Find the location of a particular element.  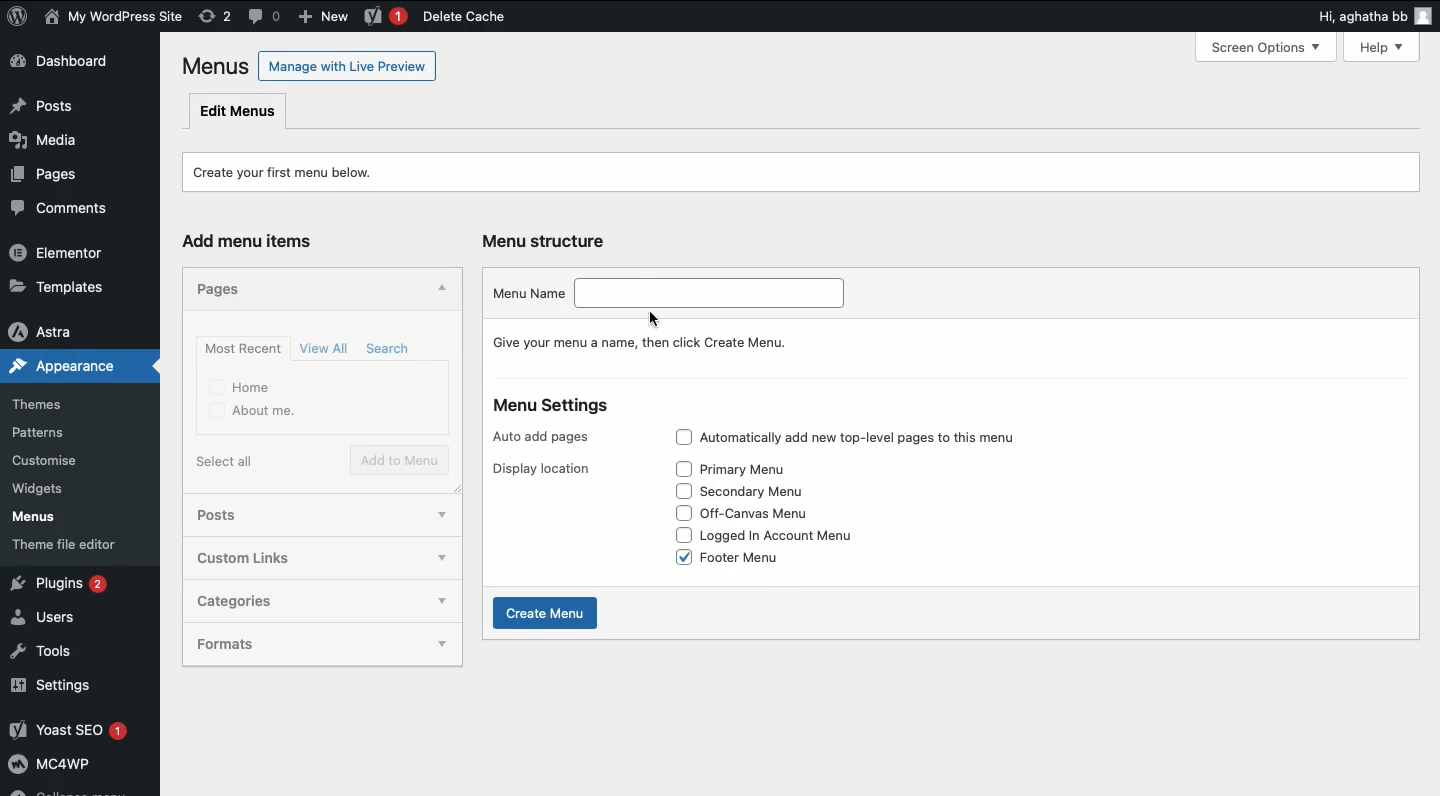

Templates is located at coordinates (70, 284).